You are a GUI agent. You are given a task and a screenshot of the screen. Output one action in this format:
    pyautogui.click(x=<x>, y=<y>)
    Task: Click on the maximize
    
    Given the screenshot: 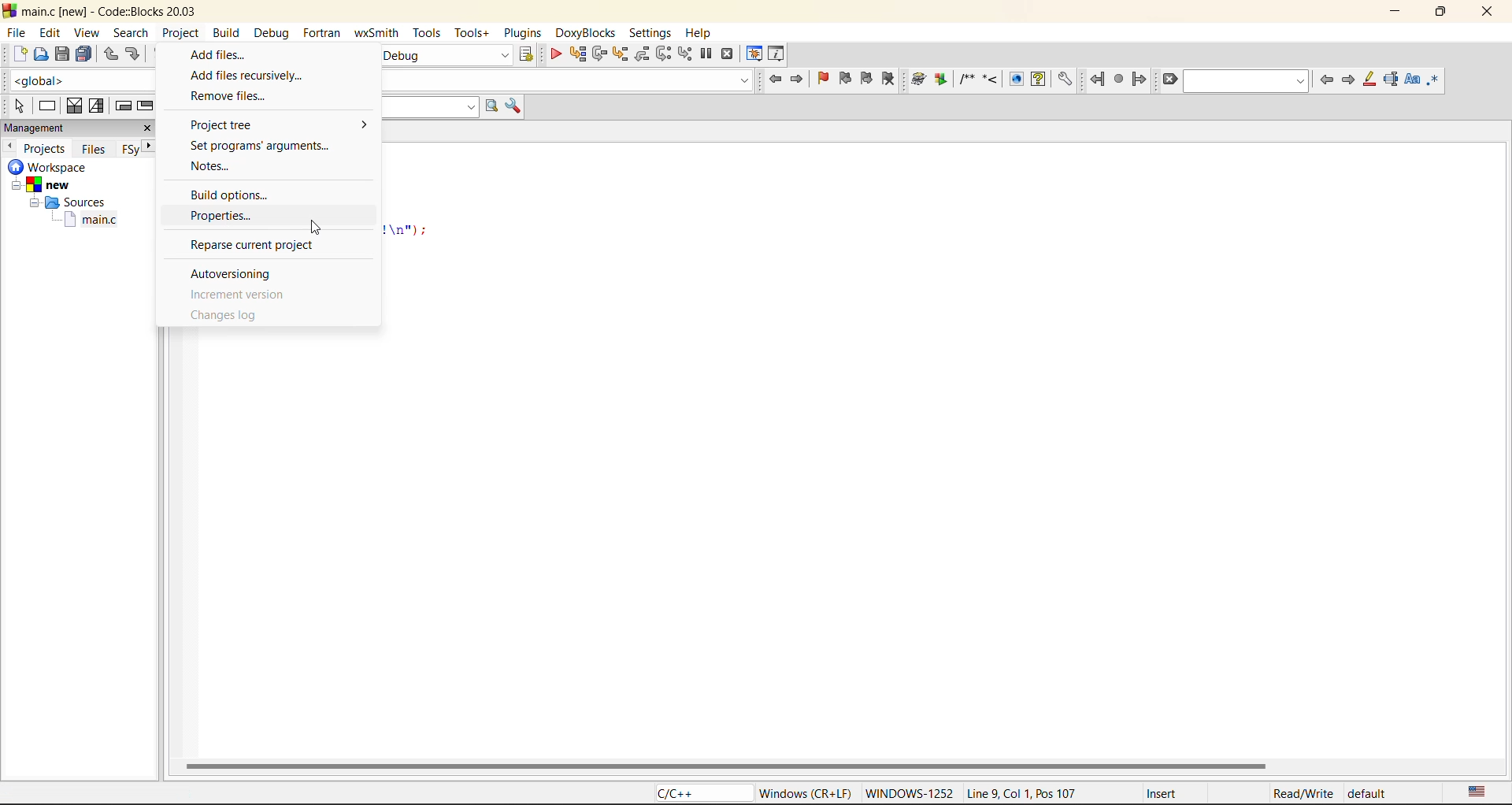 What is the action you would take?
    pyautogui.click(x=1445, y=14)
    